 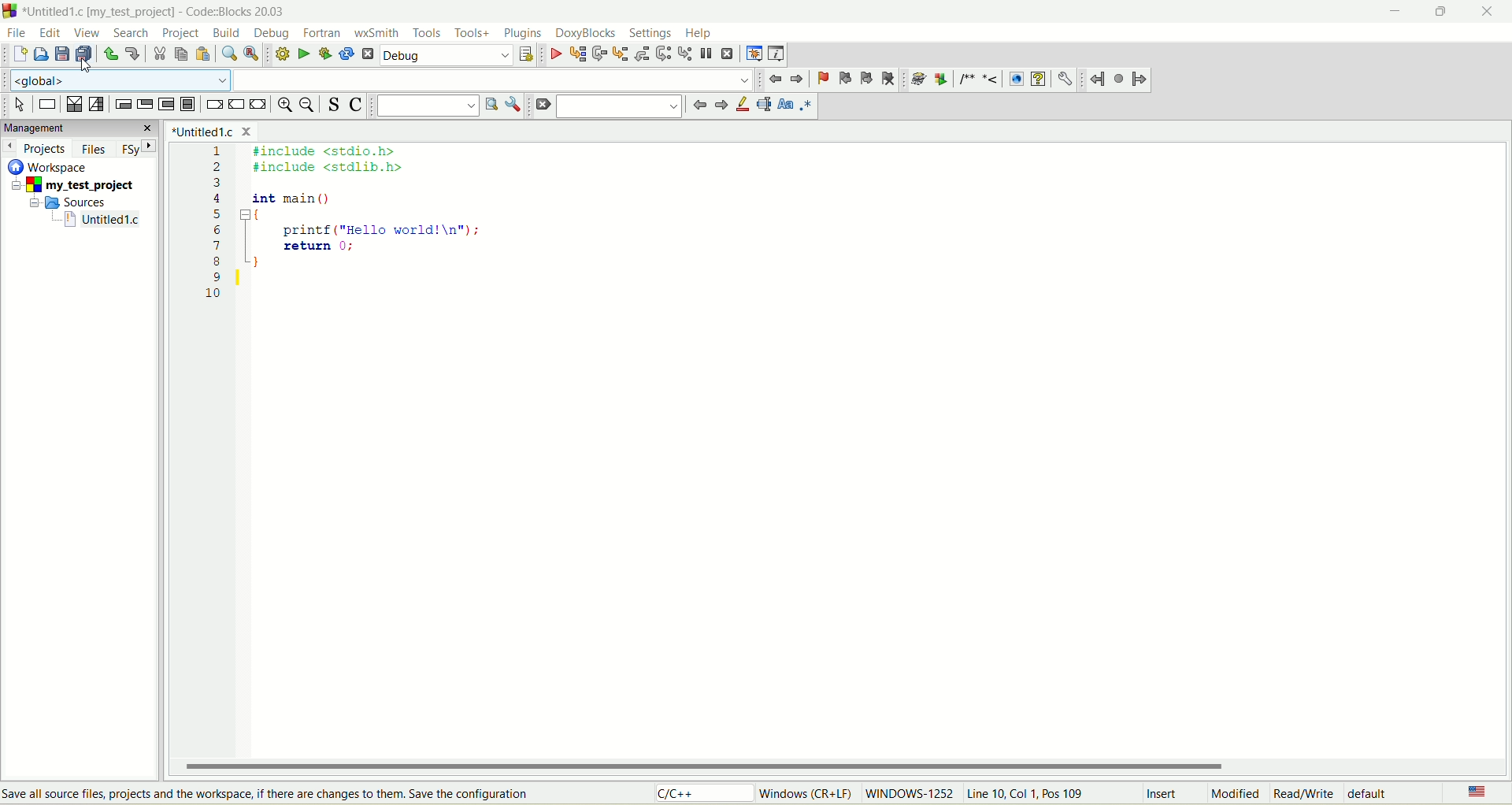 What do you see at coordinates (643, 54) in the screenshot?
I see `step out` at bounding box center [643, 54].